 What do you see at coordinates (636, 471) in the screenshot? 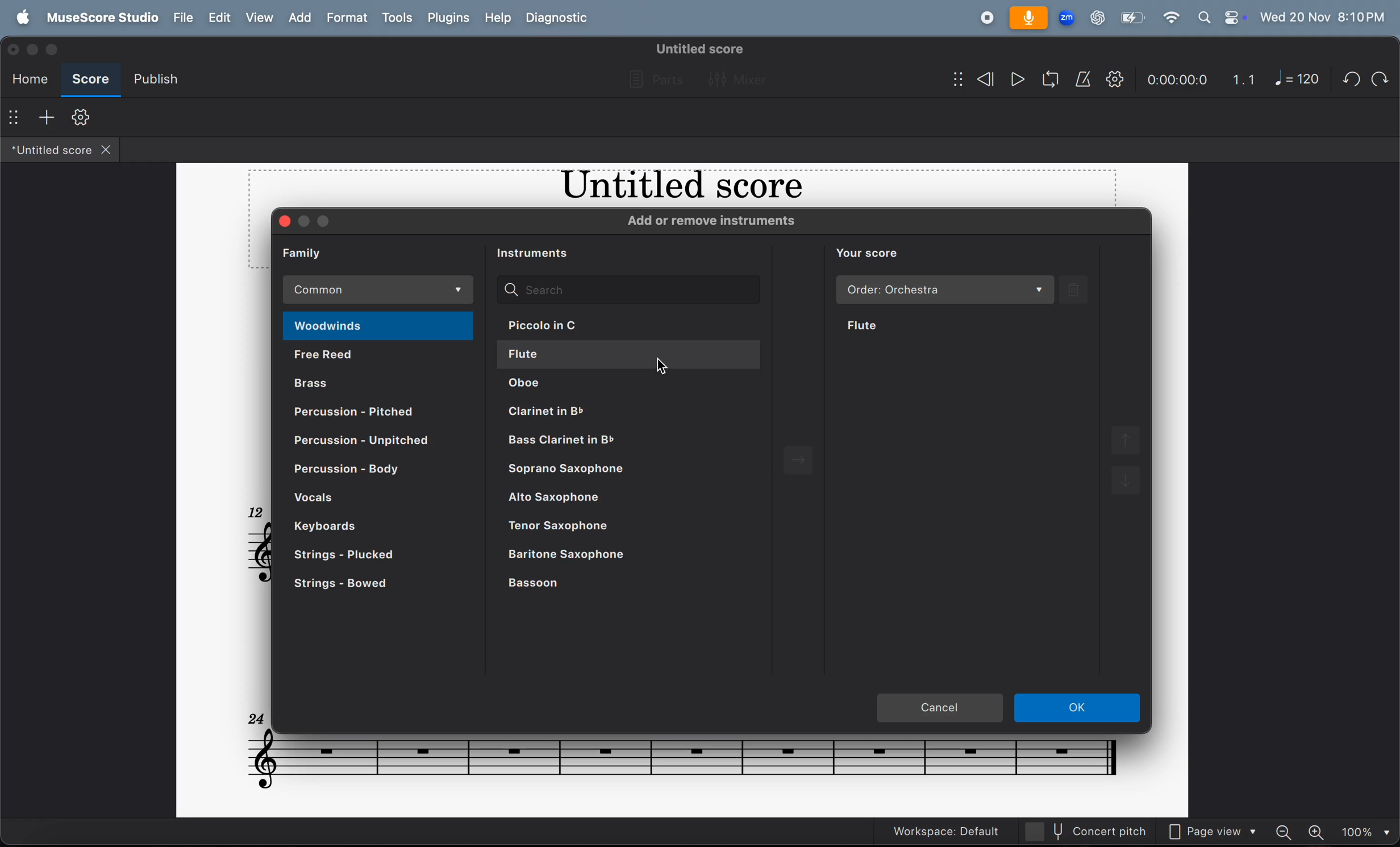
I see `saprano saxophone` at bounding box center [636, 471].